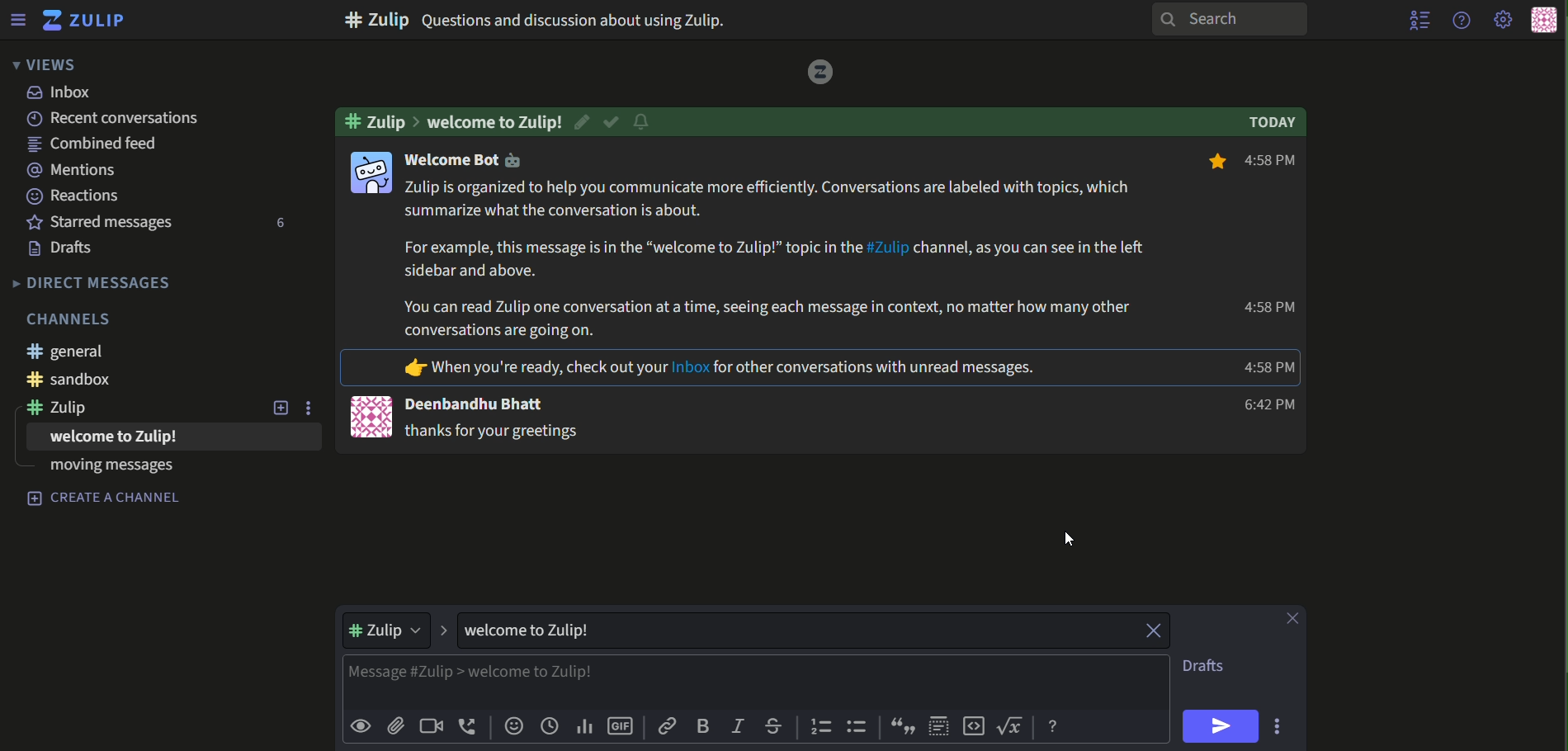 This screenshot has width=1568, height=751. What do you see at coordinates (1226, 19) in the screenshot?
I see `search bar` at bounding box center [1226, 19].